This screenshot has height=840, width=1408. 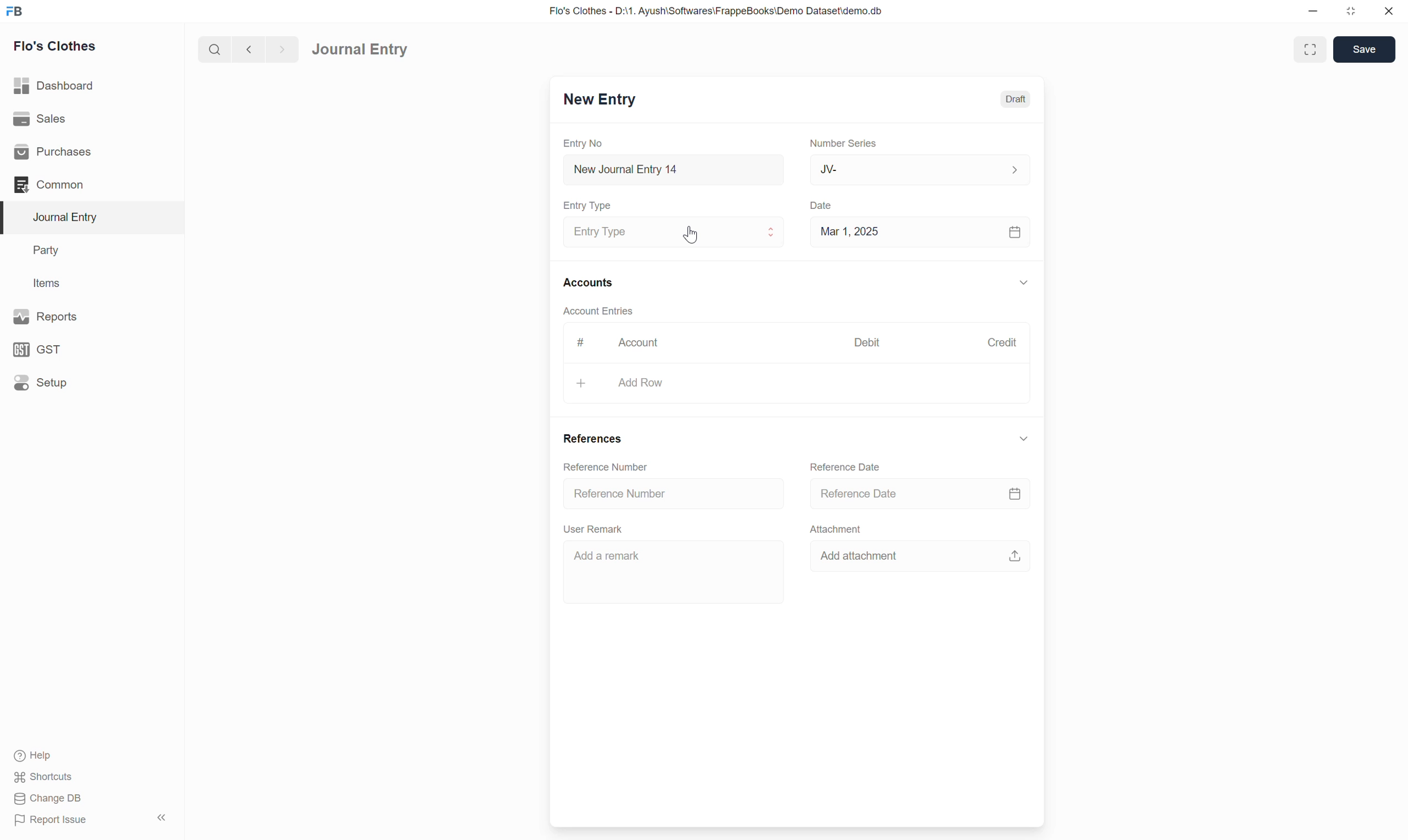 I want to click on New Journal Entry 14, so click(x=646, y=170).